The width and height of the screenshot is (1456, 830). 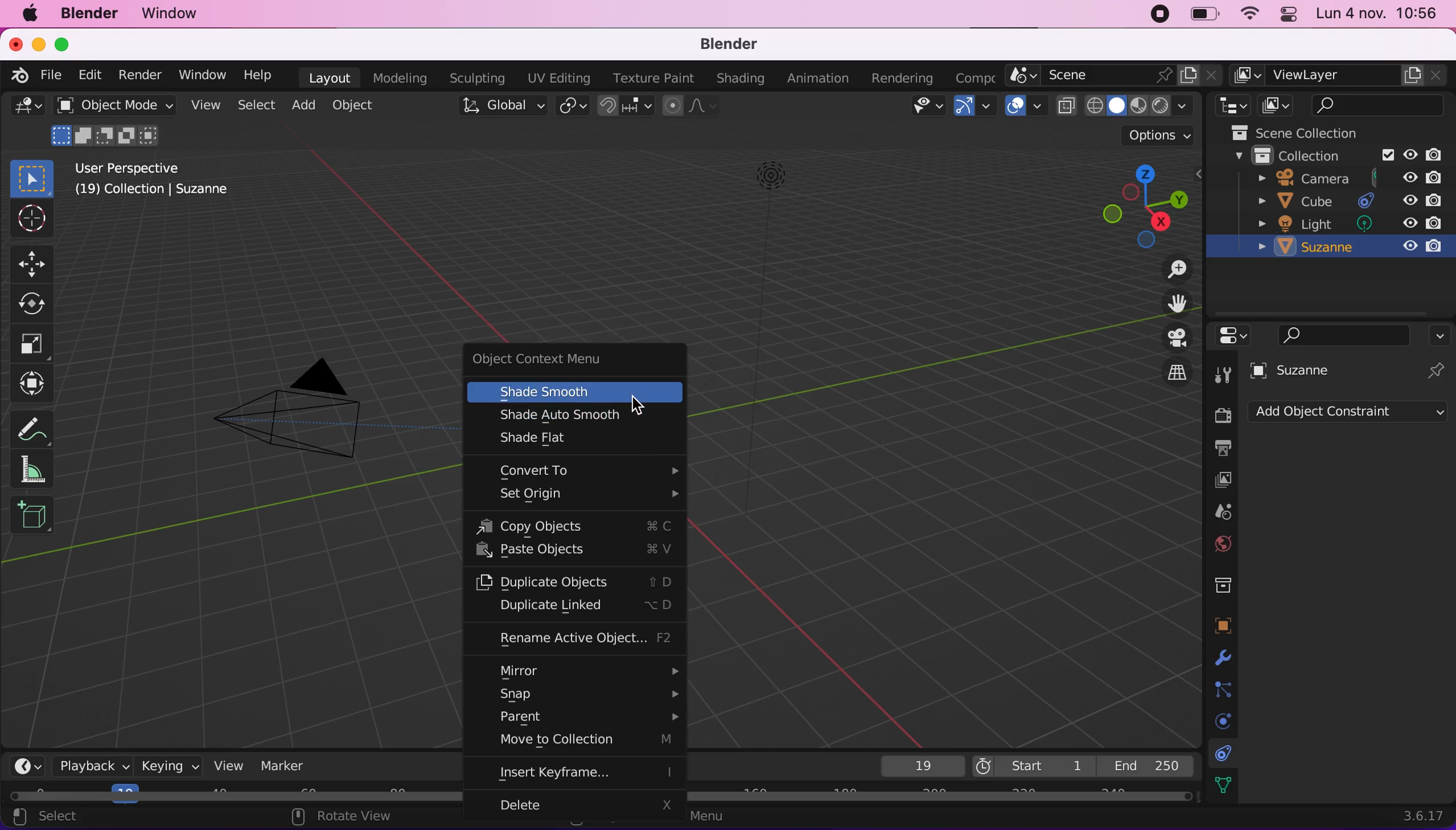 I want to click on transform, so click(x=35, y=386).